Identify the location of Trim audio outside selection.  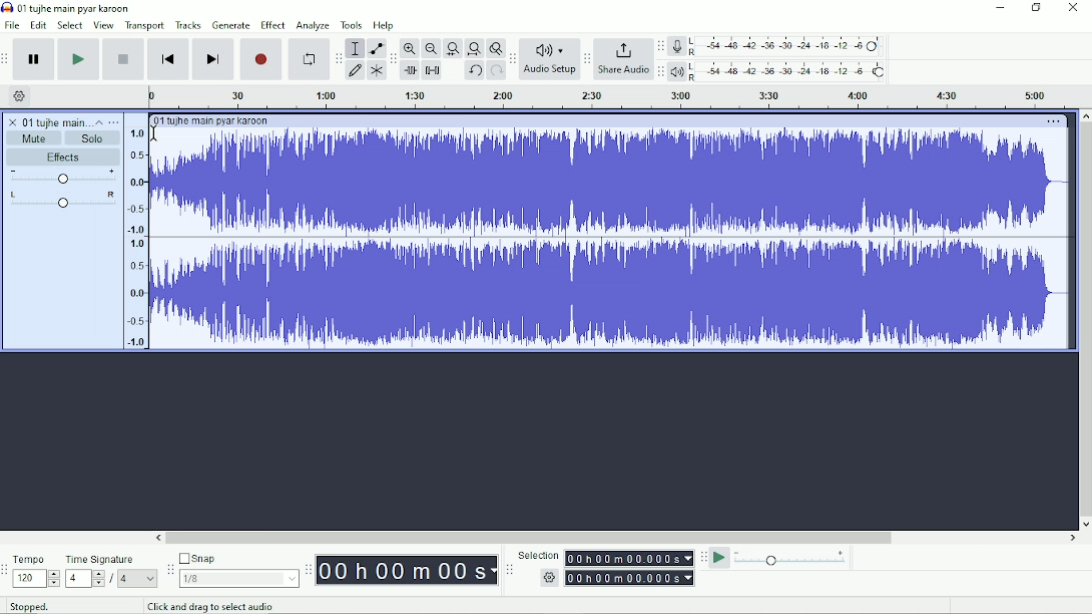
(412, 71).